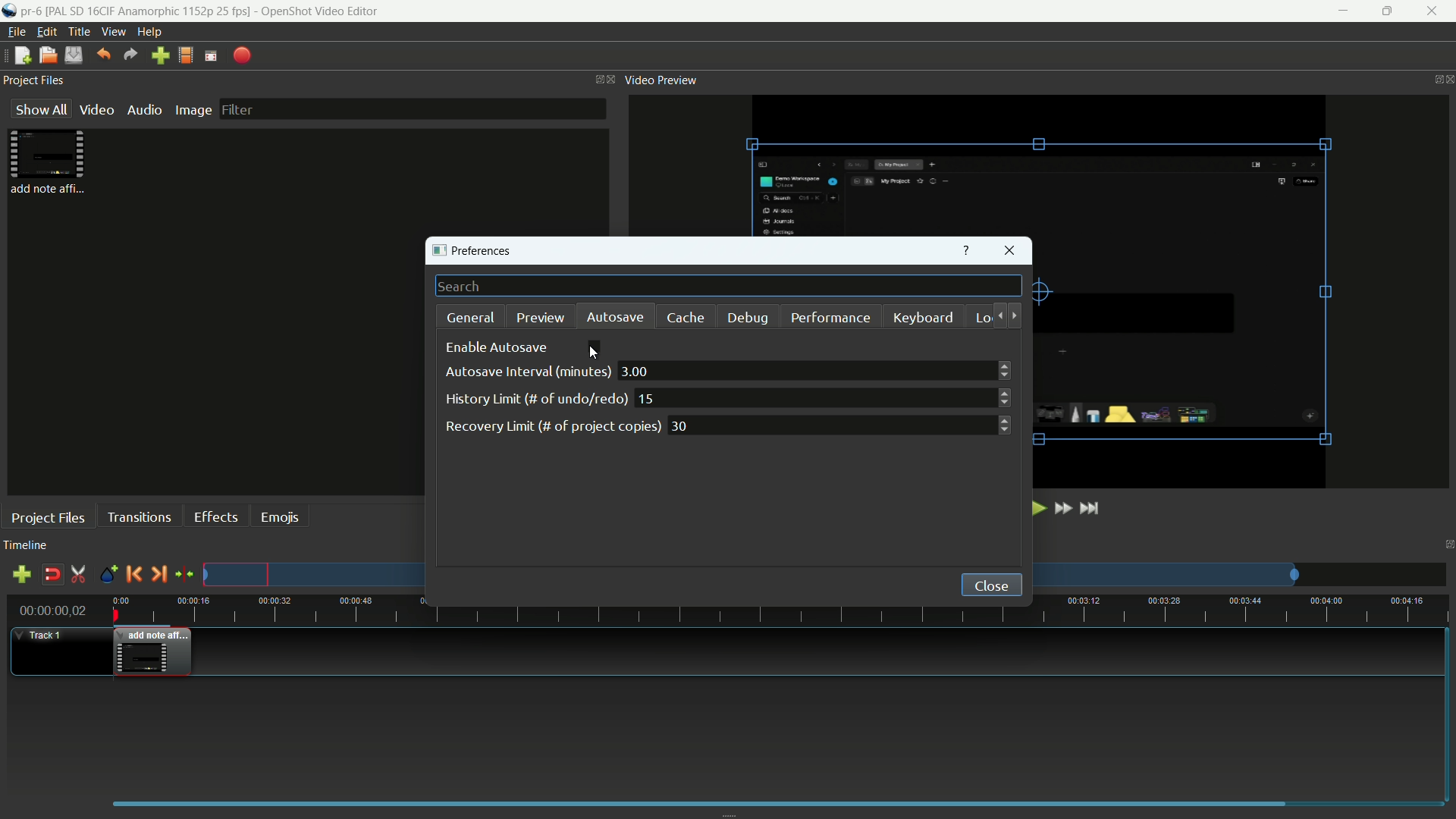 This screenshot has height=819, width=1456. What do you see at coordinates (991, 585) in the screenshot?
I see `close` at bounding box center [991, 585].